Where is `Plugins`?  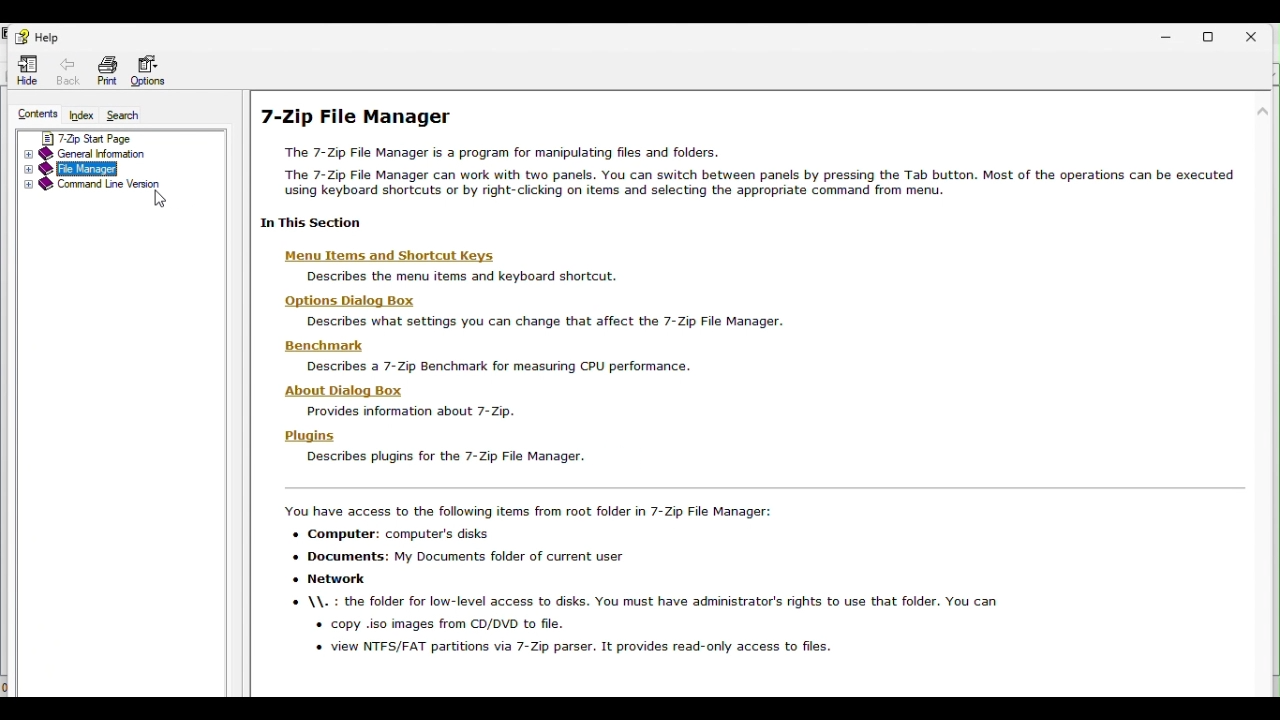
Plugins is located at coordinates (312, 435).